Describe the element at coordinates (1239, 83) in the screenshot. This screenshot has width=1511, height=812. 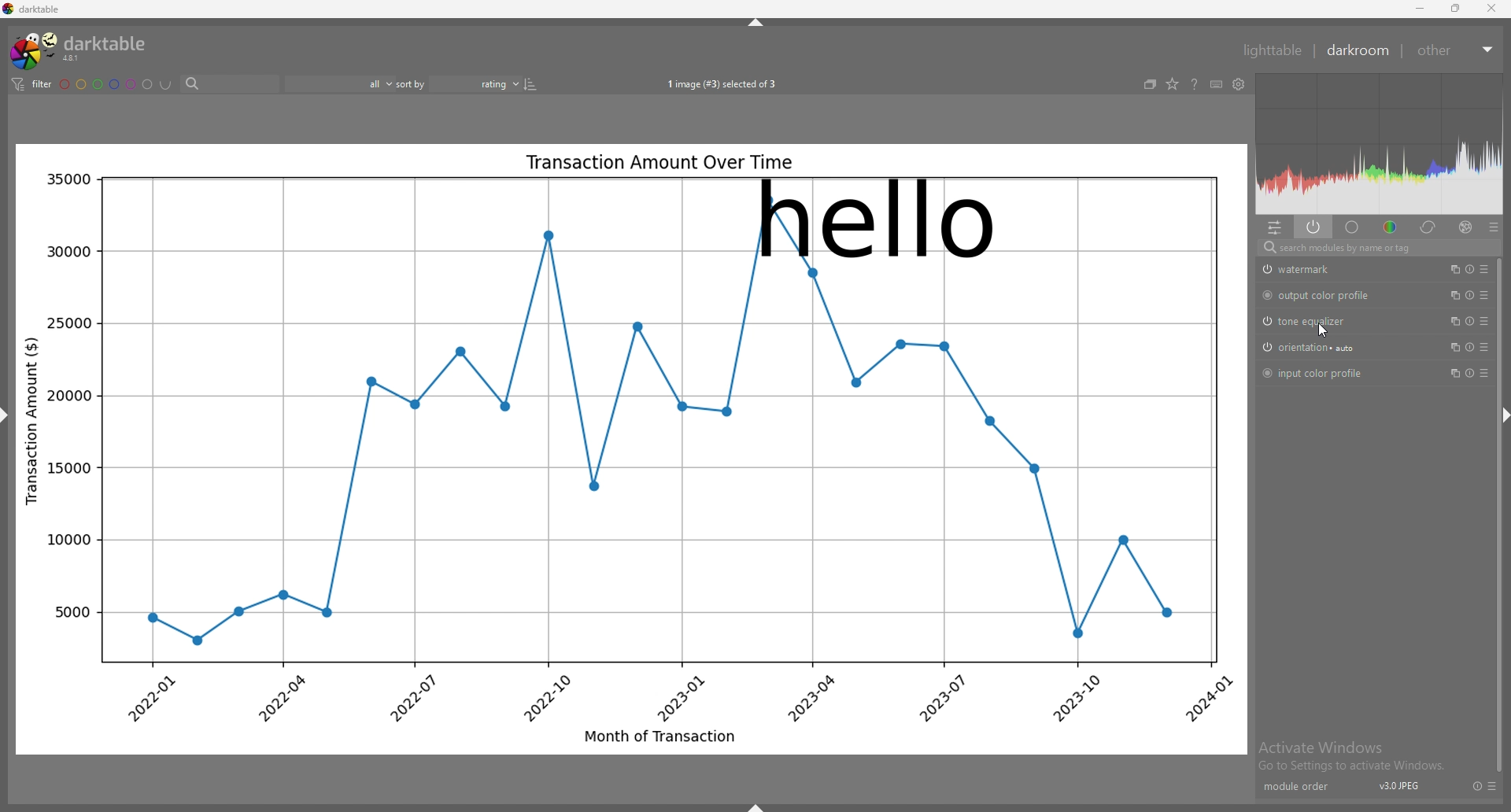
I see `show global preferences` at that location.